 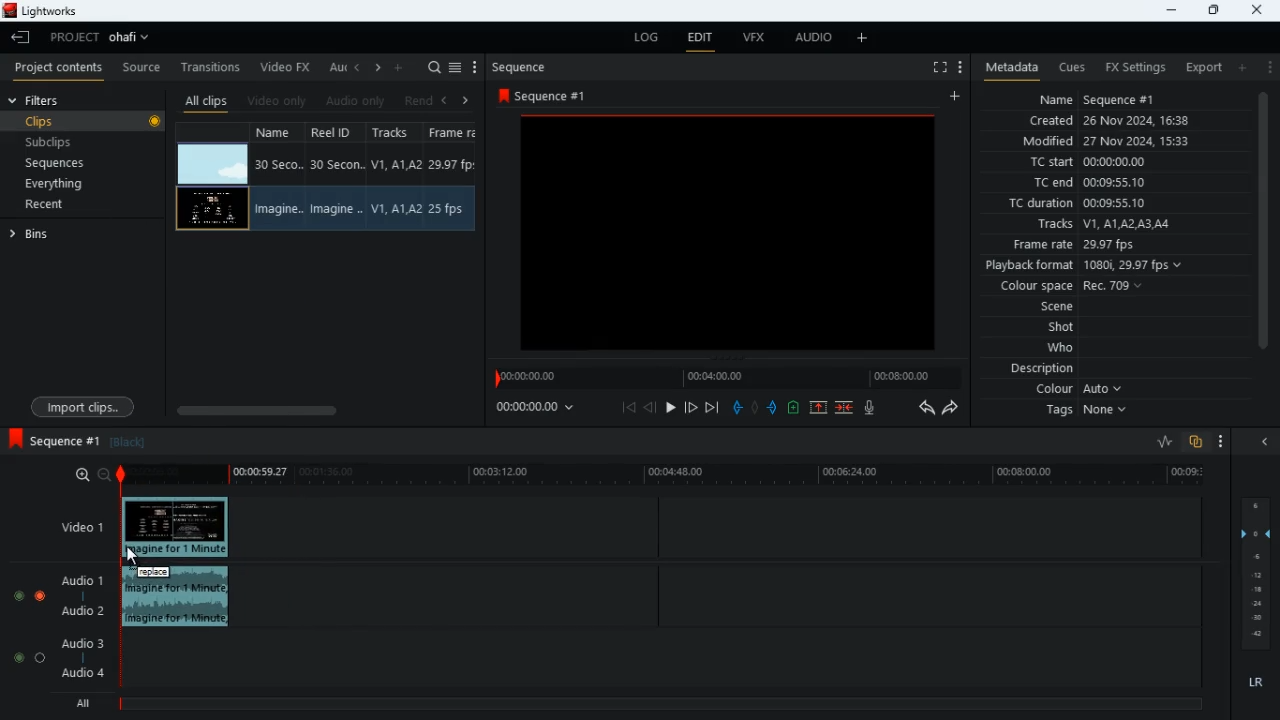 I want to click on Reel ID, so click(x=338, y=165).